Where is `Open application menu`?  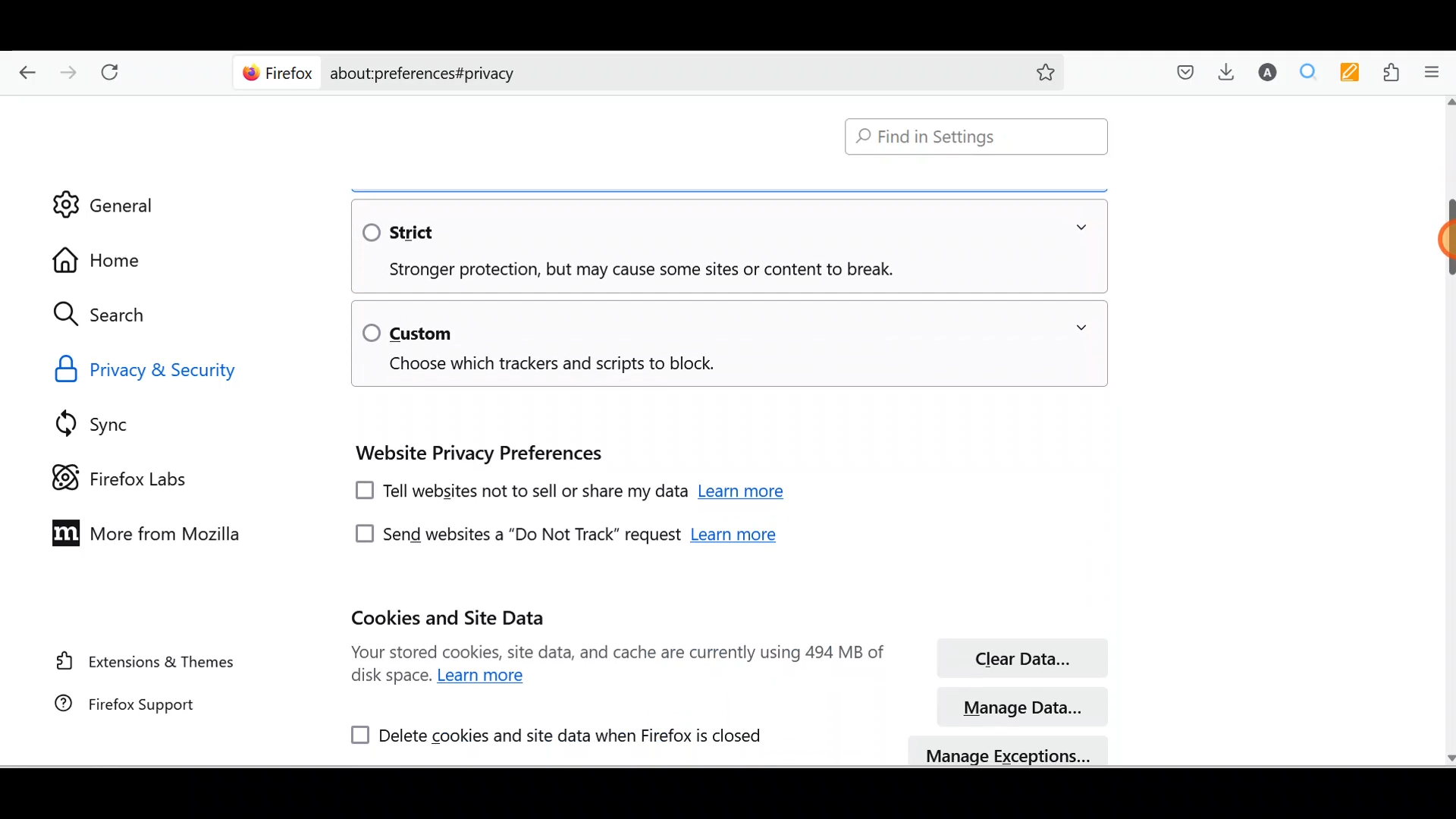
Open application menu is located at coordinates (1436, 73).